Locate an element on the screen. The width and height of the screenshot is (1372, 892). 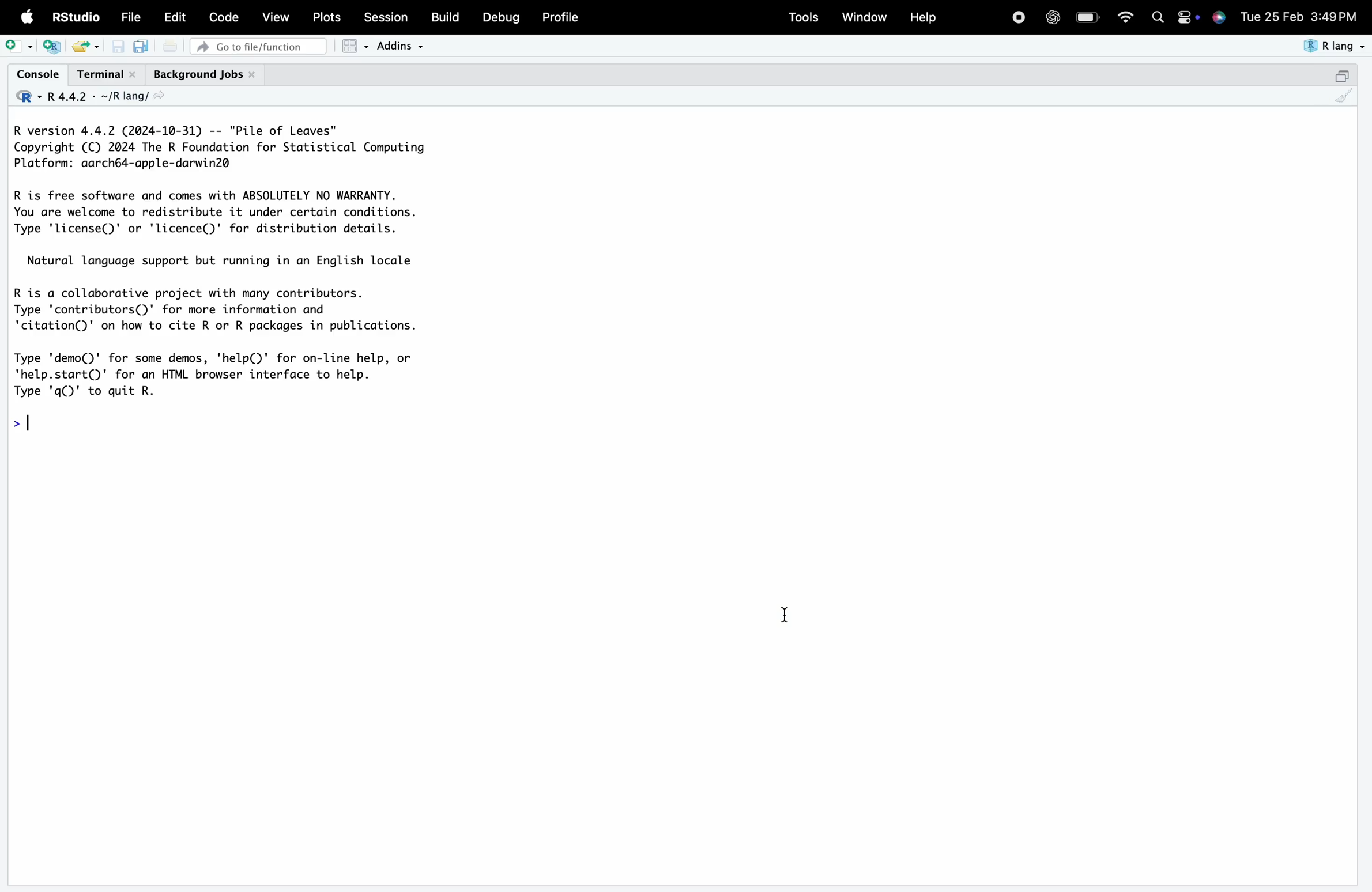
Build is located at coordinates (444, 17).